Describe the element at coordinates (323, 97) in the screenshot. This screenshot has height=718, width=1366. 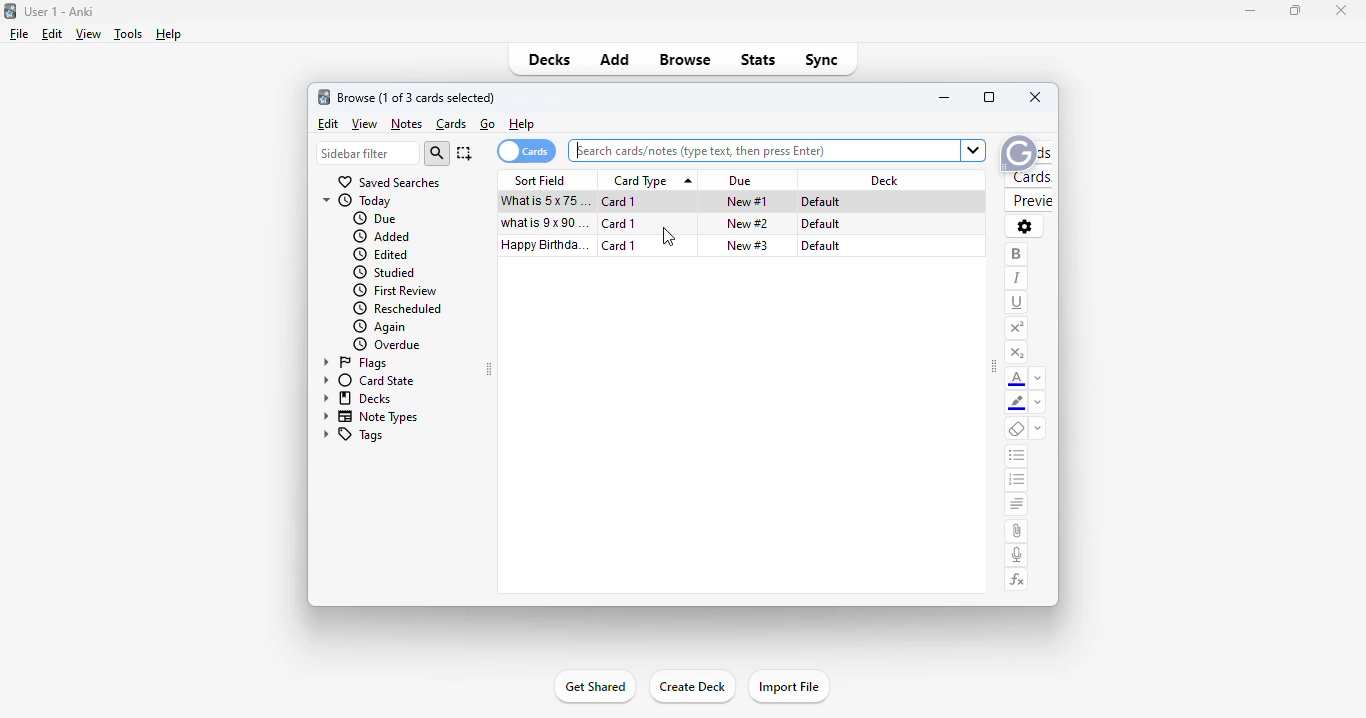
I see `logo` at that location.